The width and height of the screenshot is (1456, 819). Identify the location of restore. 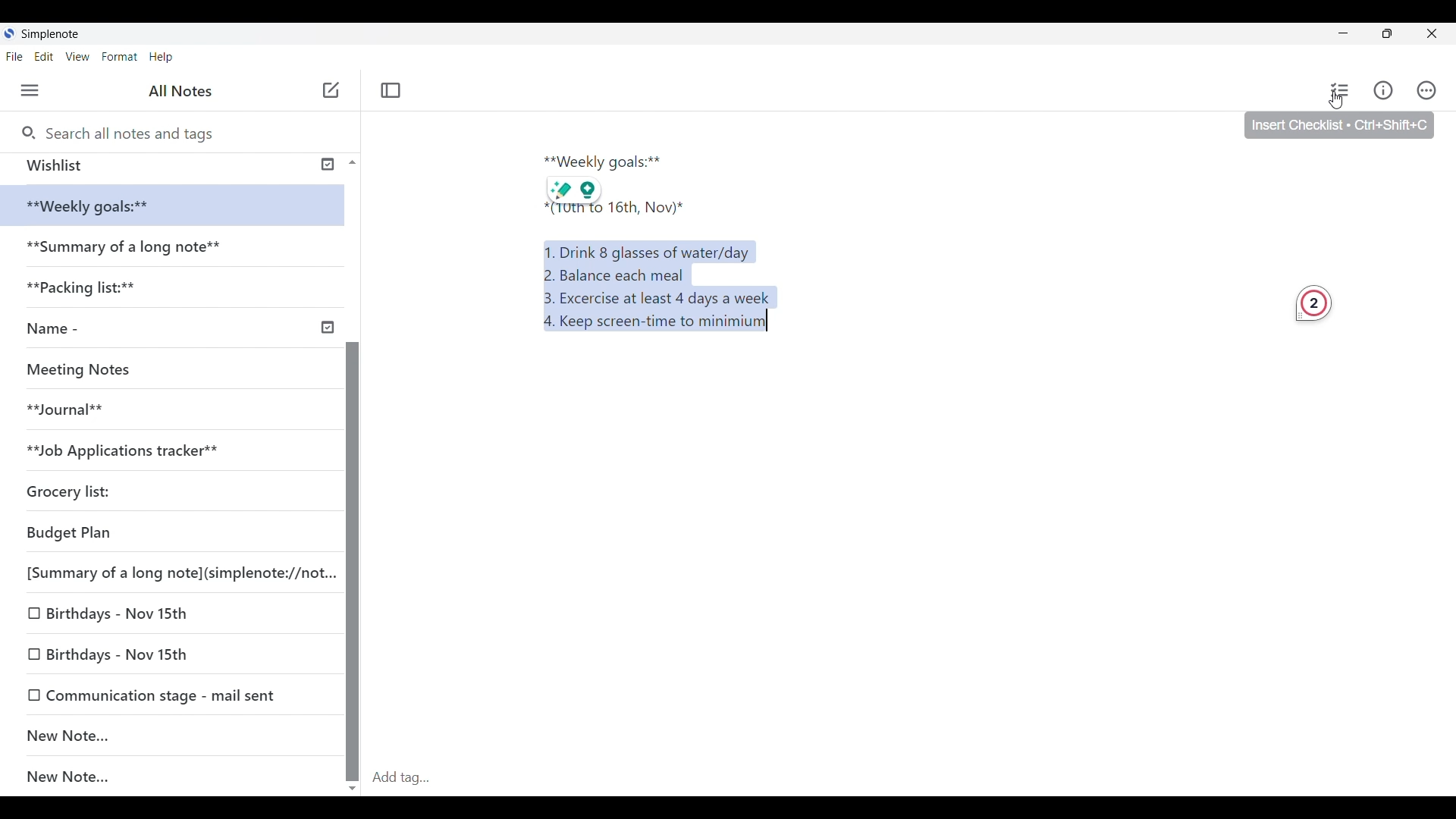
(1400, 36).